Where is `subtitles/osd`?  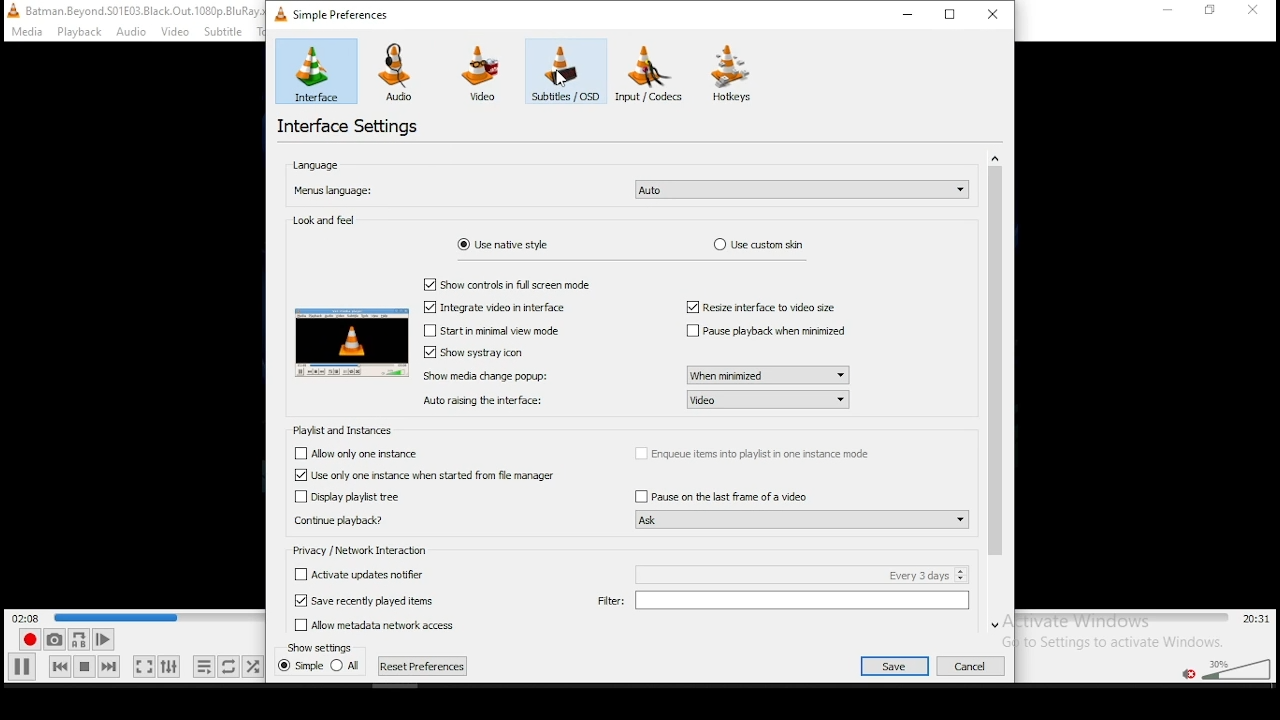 subtitles/osd is located at coordinates (564, 73).